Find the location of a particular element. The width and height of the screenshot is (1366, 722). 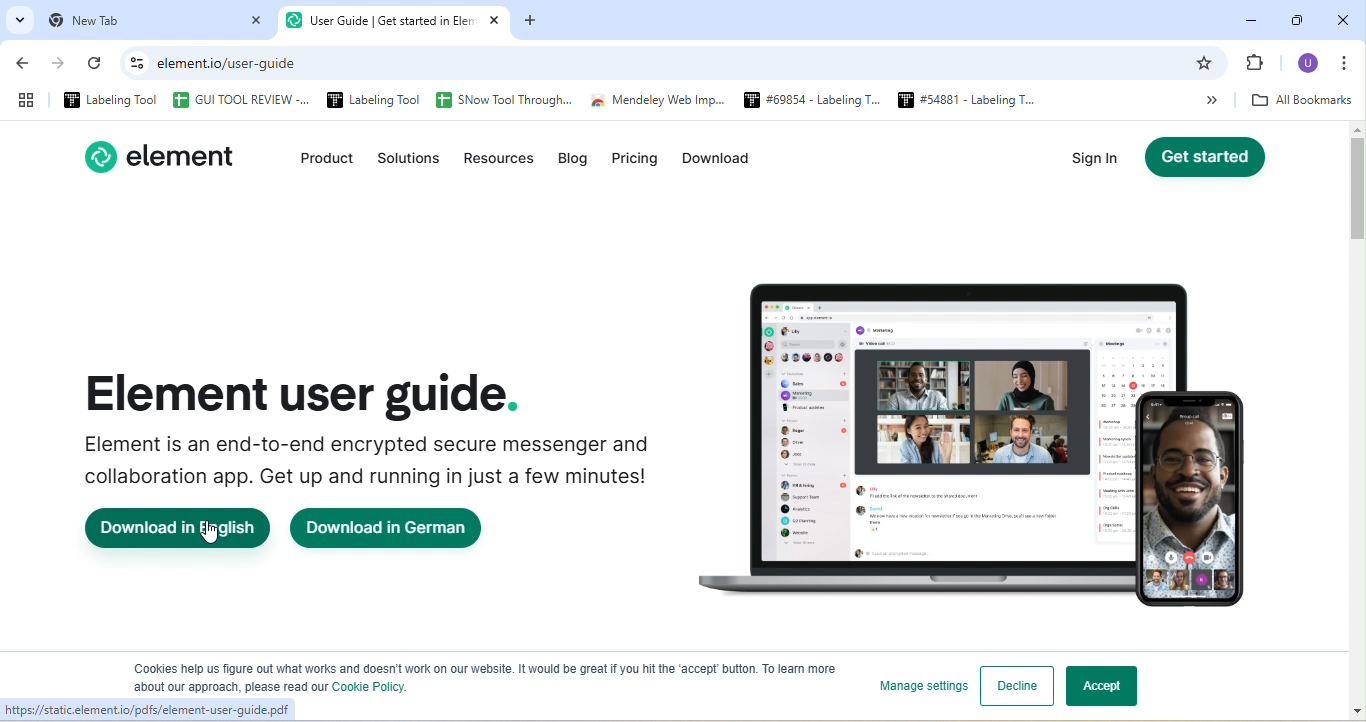

hitps//static.elementio/pdis/element-user-ouide pdf is located at coordinates (146, 709).